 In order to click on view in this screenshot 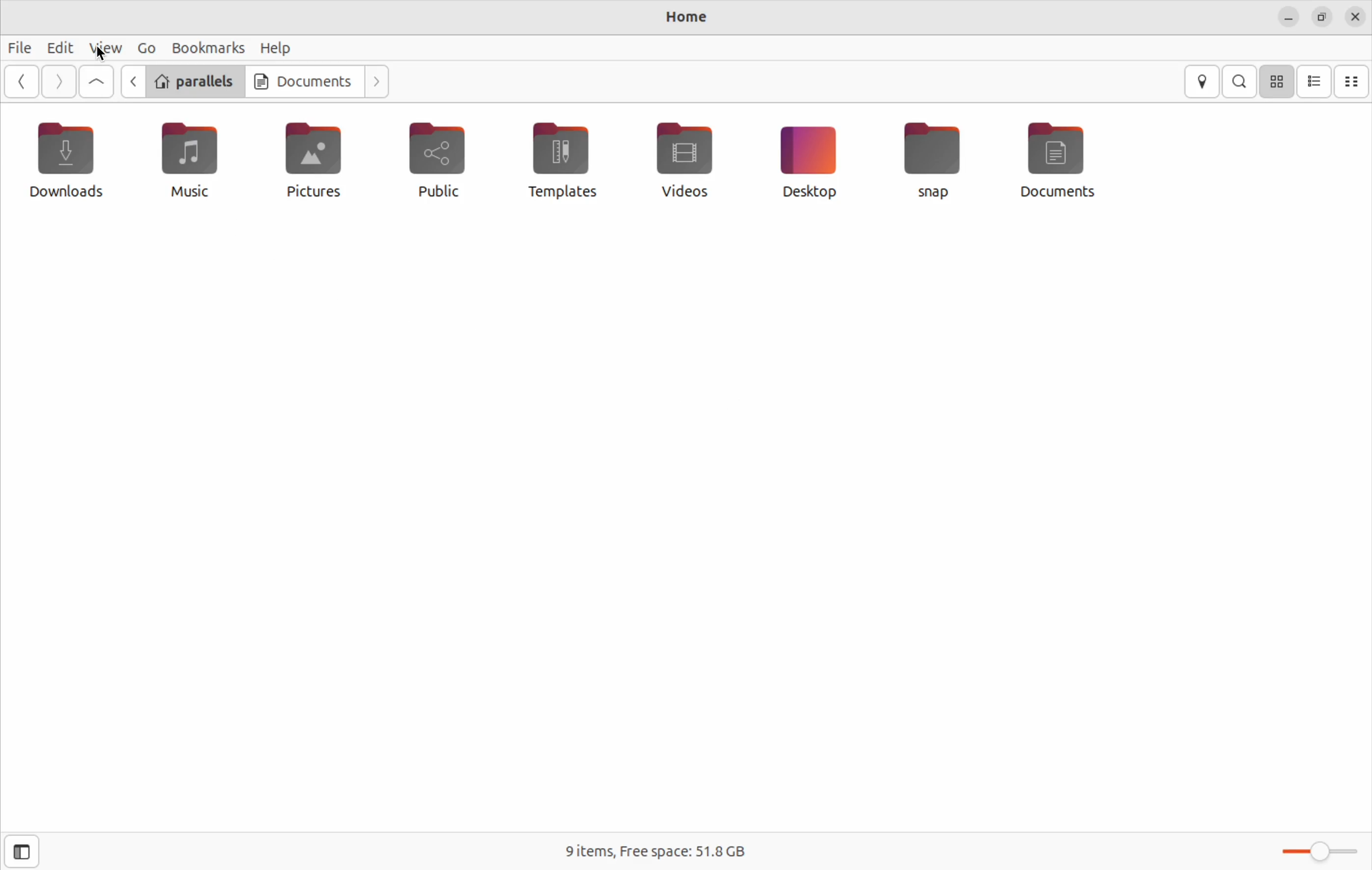, I will do `click(105, 48)`.